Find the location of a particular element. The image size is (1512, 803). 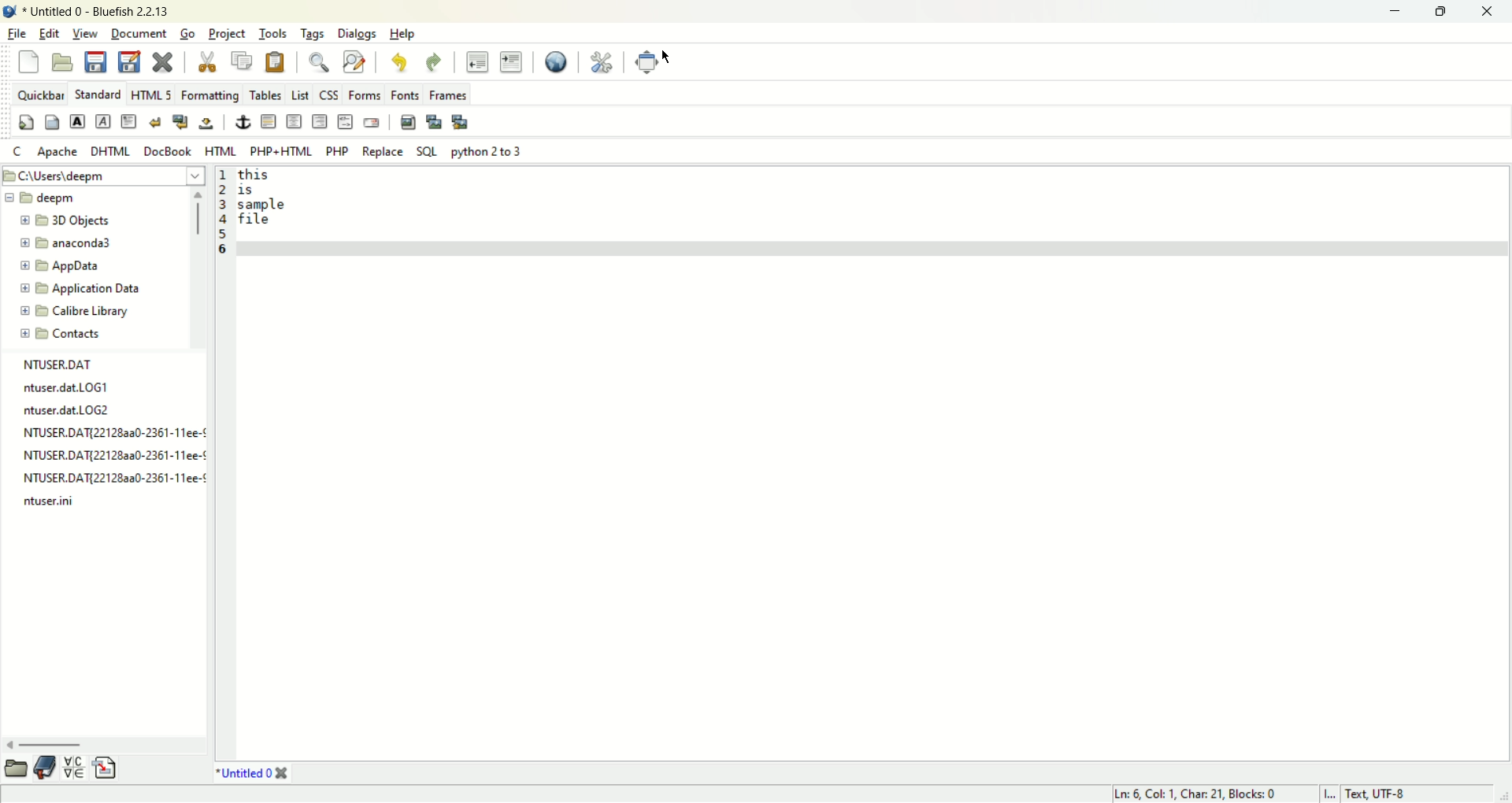

SQL is located at coordinates (426, 153).